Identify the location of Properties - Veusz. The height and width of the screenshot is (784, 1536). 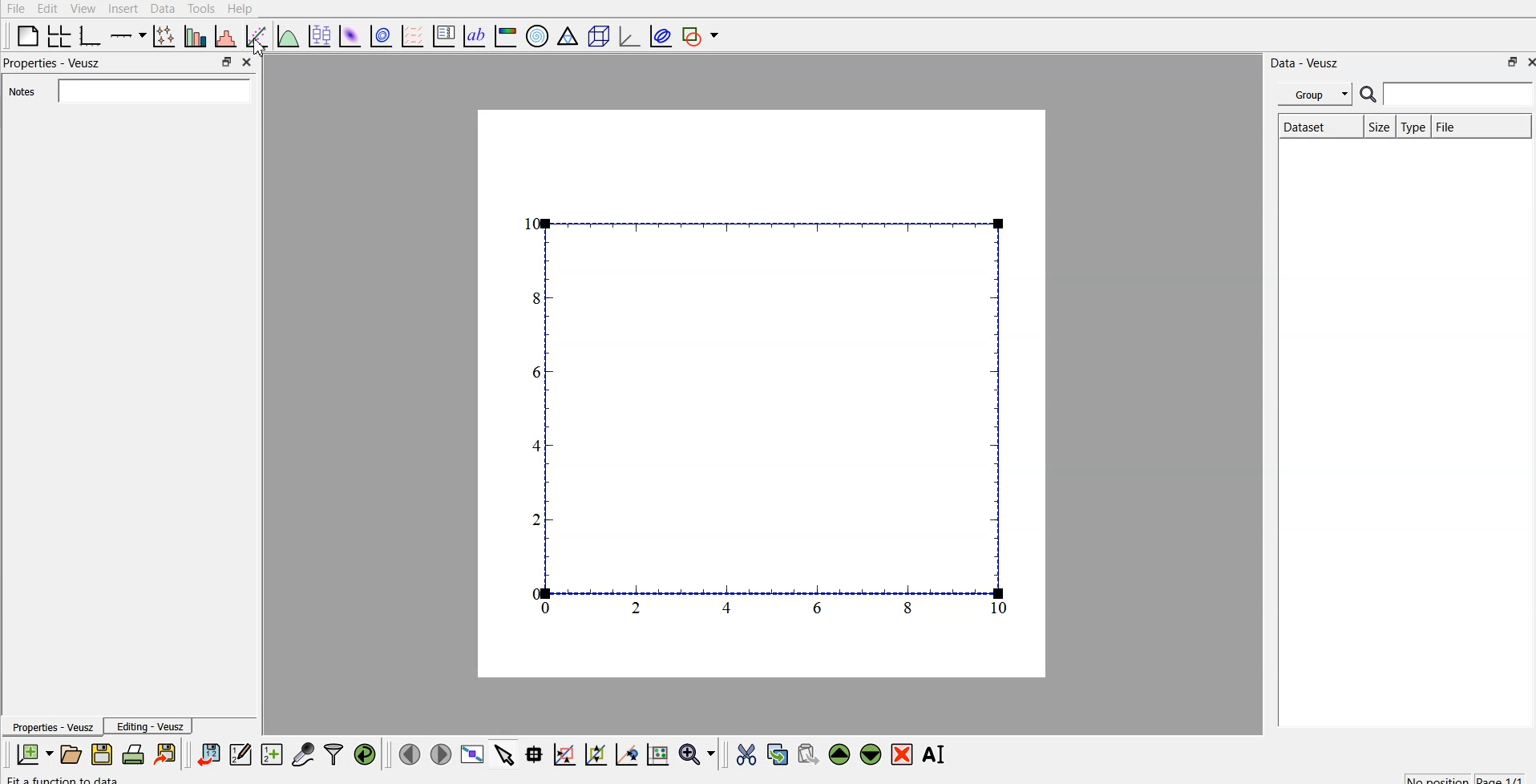
(55, 64).